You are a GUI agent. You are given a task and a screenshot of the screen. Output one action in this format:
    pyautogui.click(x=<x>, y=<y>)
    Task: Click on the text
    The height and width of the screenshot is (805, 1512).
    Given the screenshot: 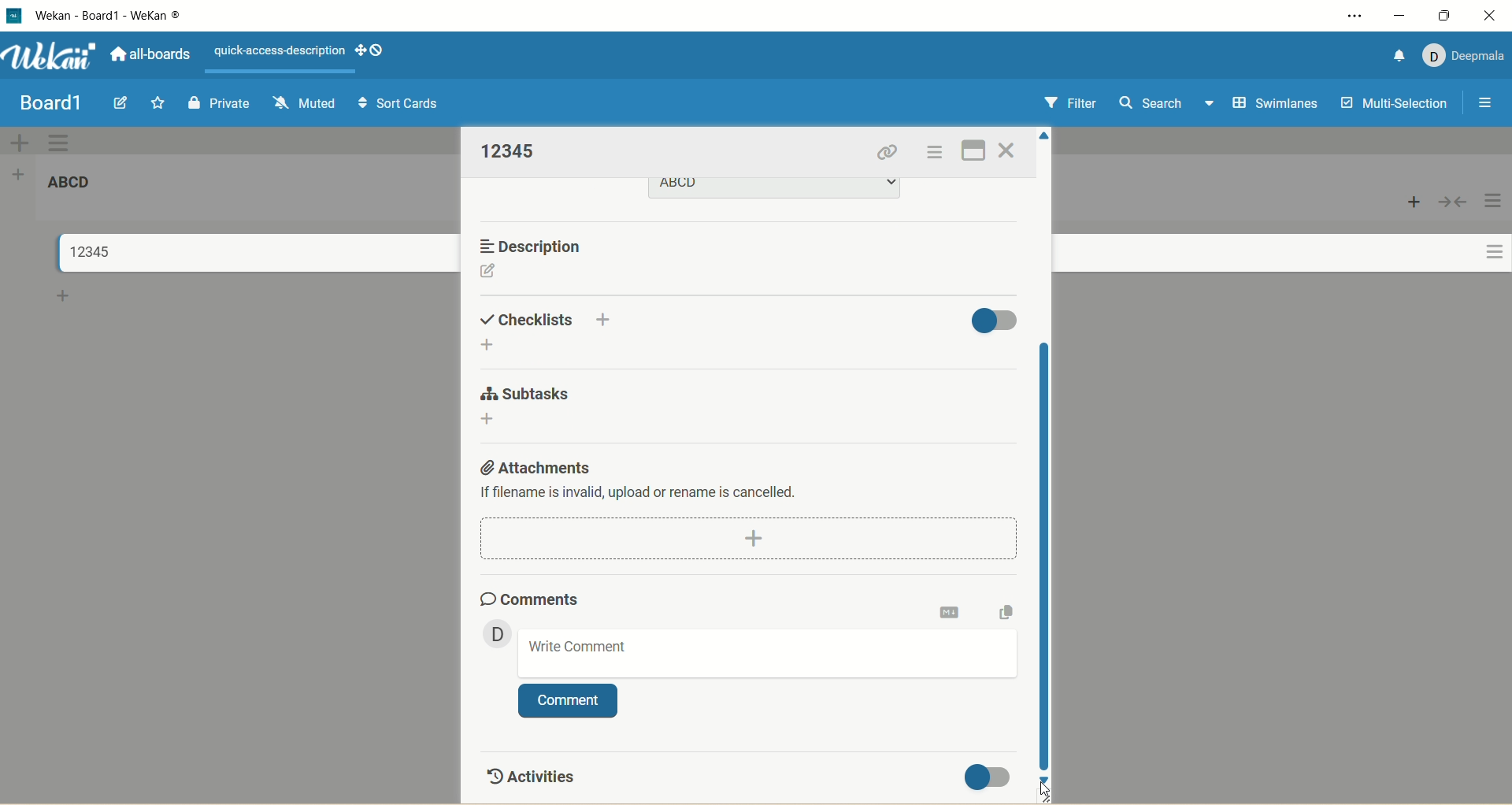 What is the action you would take?
    pyautogui.click(x=641, y=494)
    